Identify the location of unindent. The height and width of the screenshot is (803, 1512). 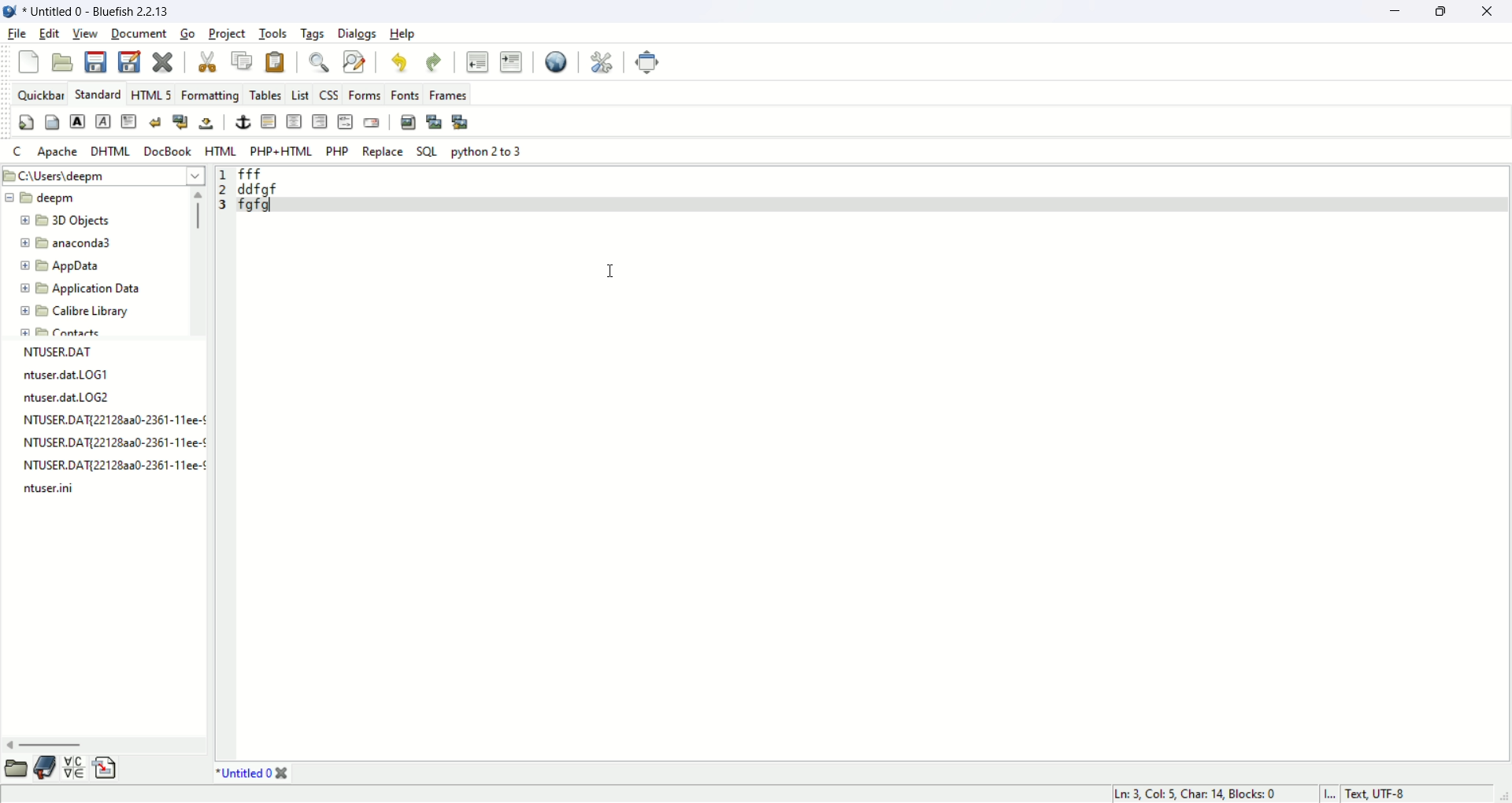
(476, 61).